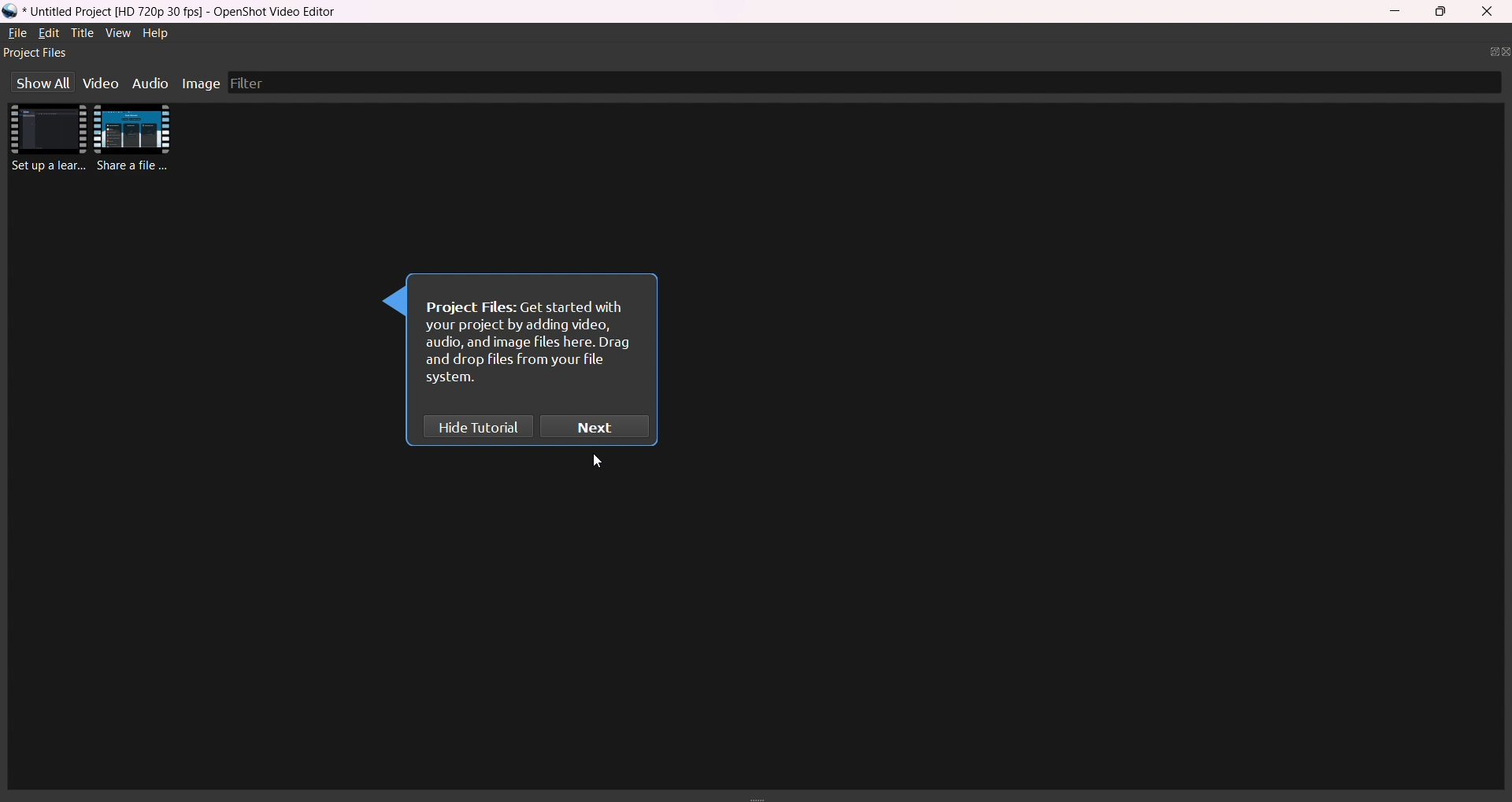 The width and height of the screenshot is (1512, 802). I want to click on imported video, so click(132, 138).